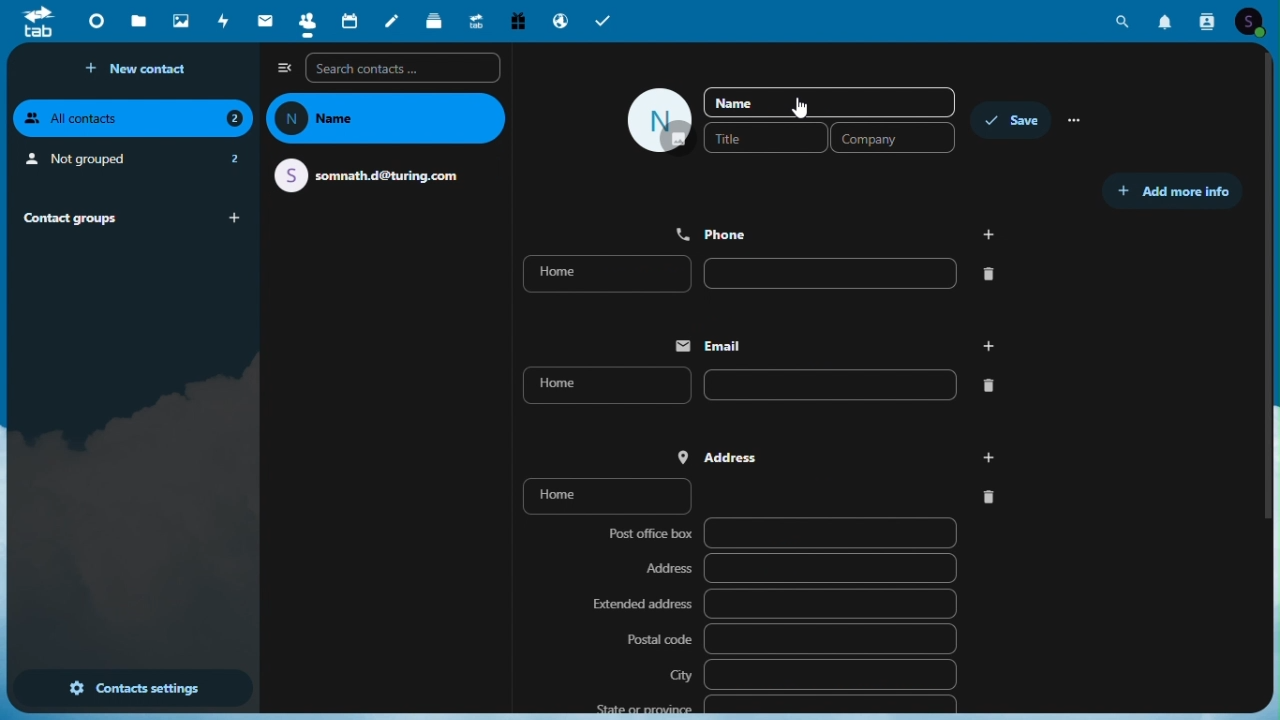  I want to click on Dashboard, so click(94, 22).